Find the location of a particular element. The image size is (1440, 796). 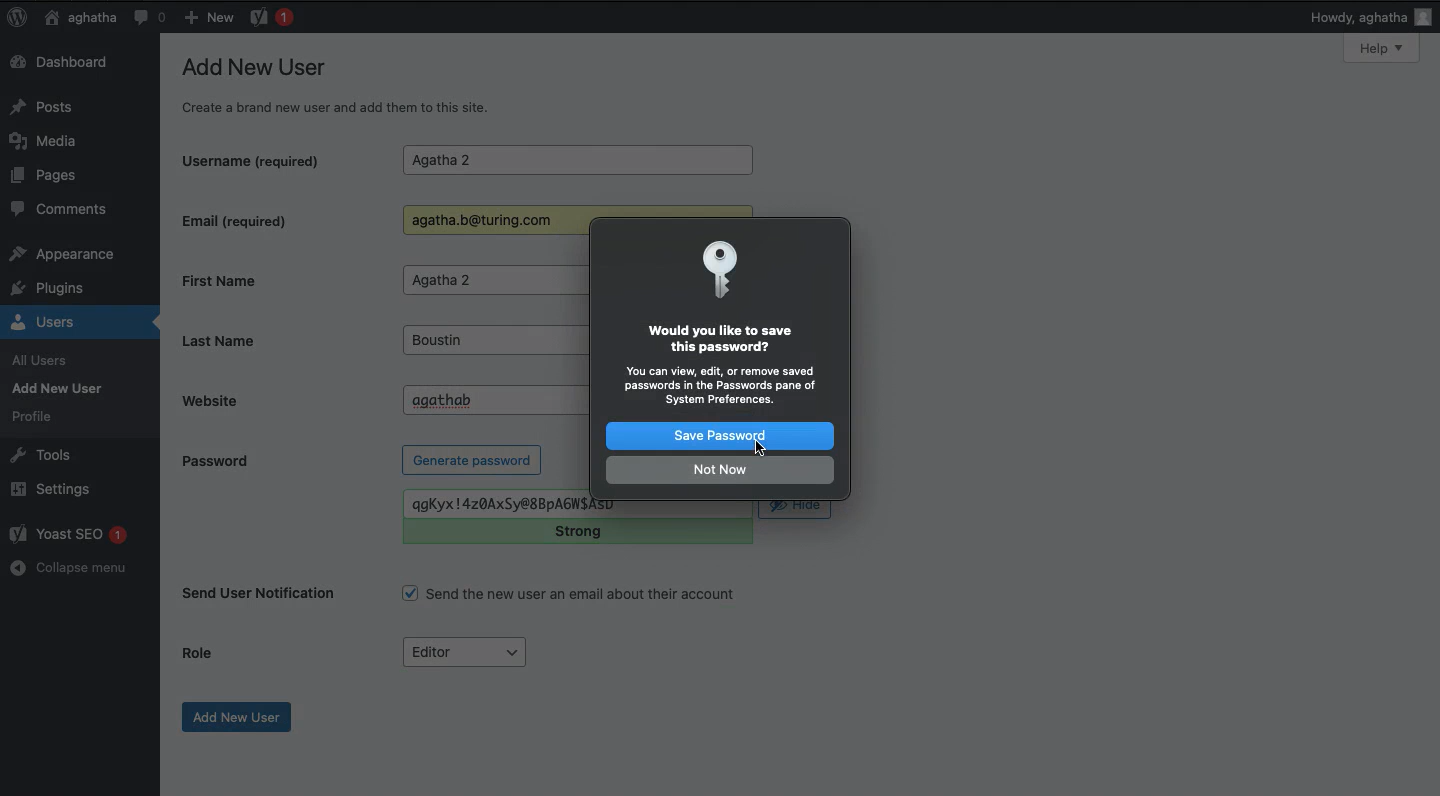

Yoast is located at coordinates (270, 16).